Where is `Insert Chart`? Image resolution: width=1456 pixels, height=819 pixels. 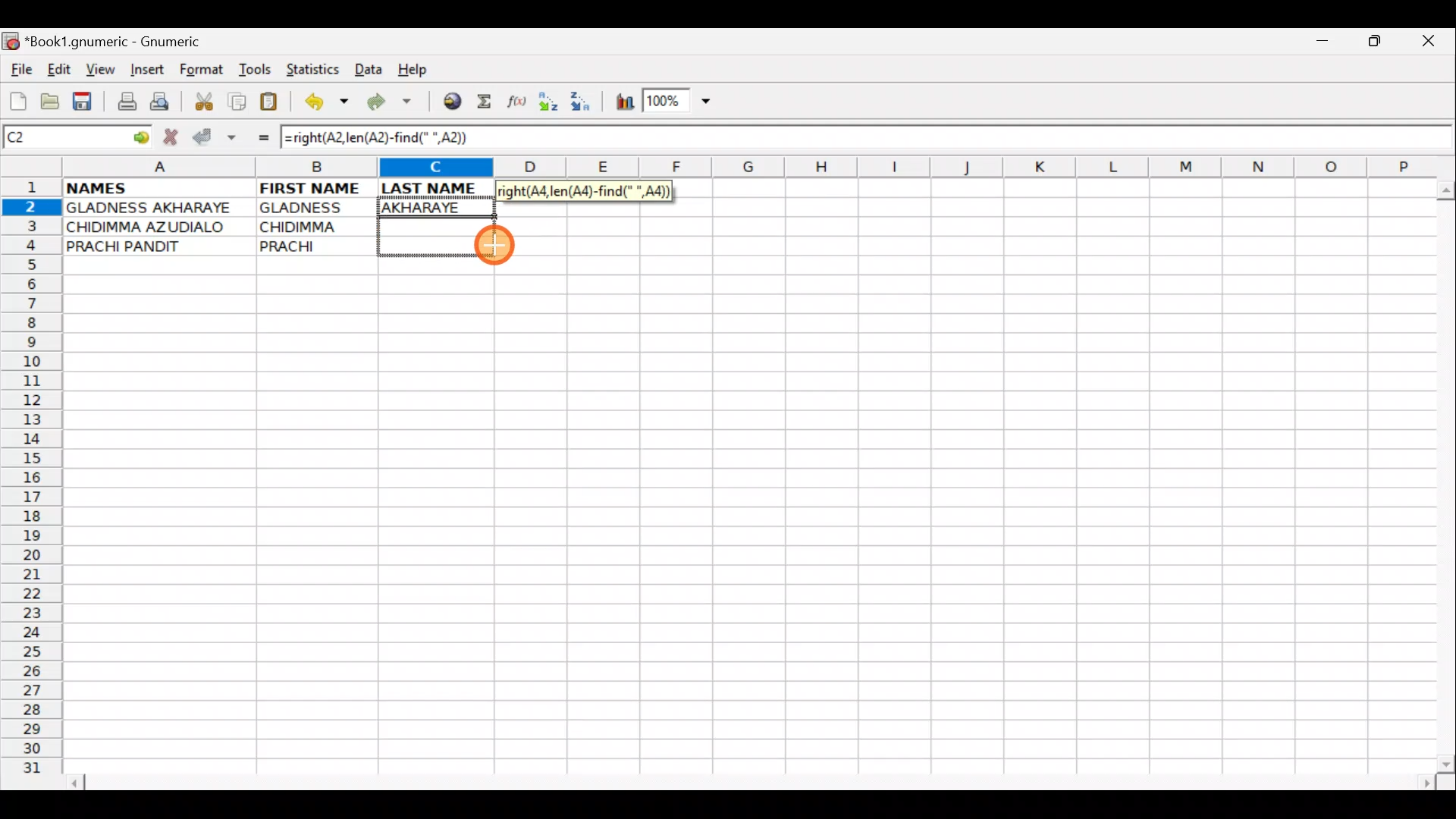
Insert Chart is located at coordinates (620, 104).